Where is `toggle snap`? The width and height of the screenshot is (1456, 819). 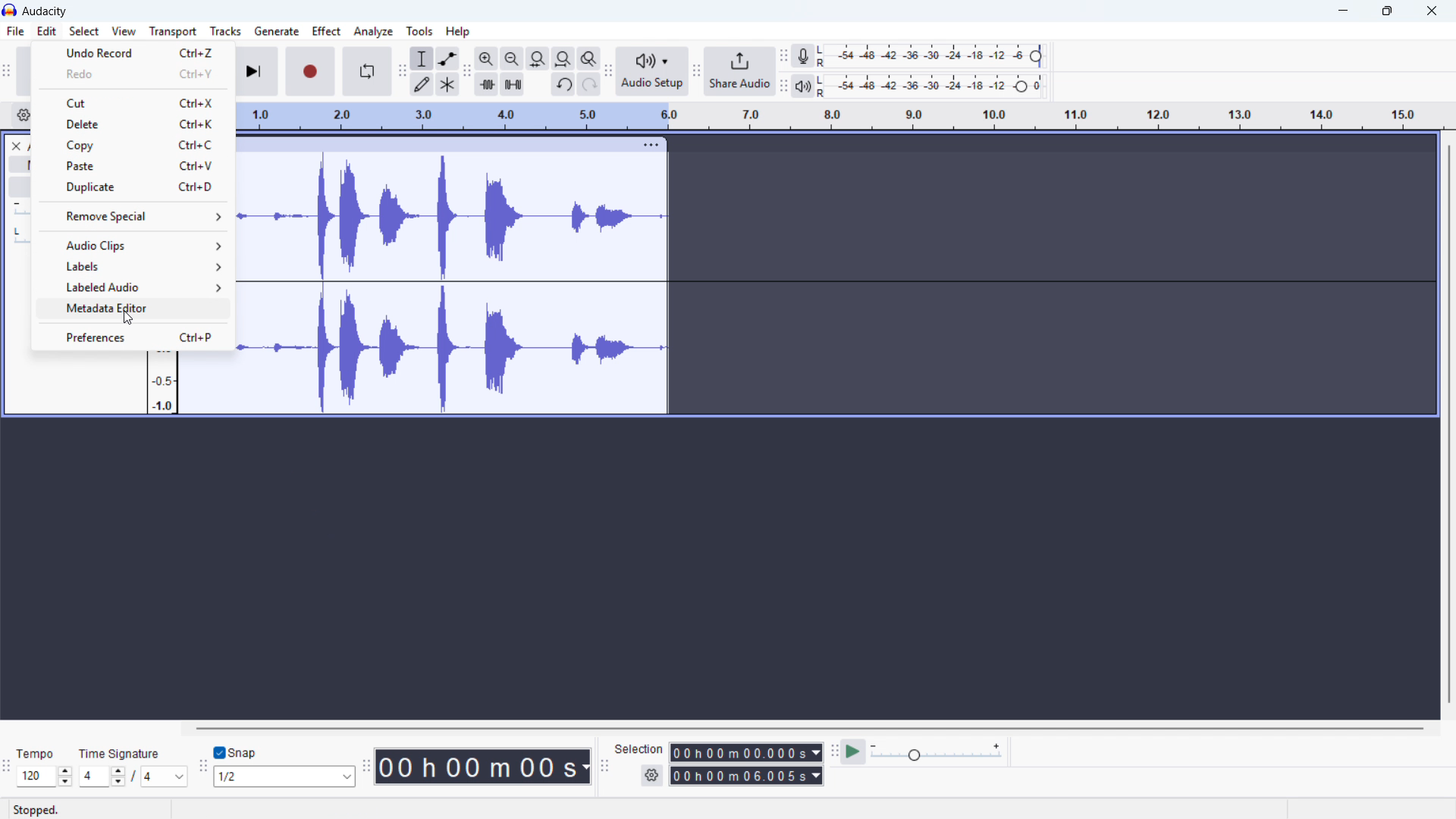 toggle snap is located at coordinates (235, 753).